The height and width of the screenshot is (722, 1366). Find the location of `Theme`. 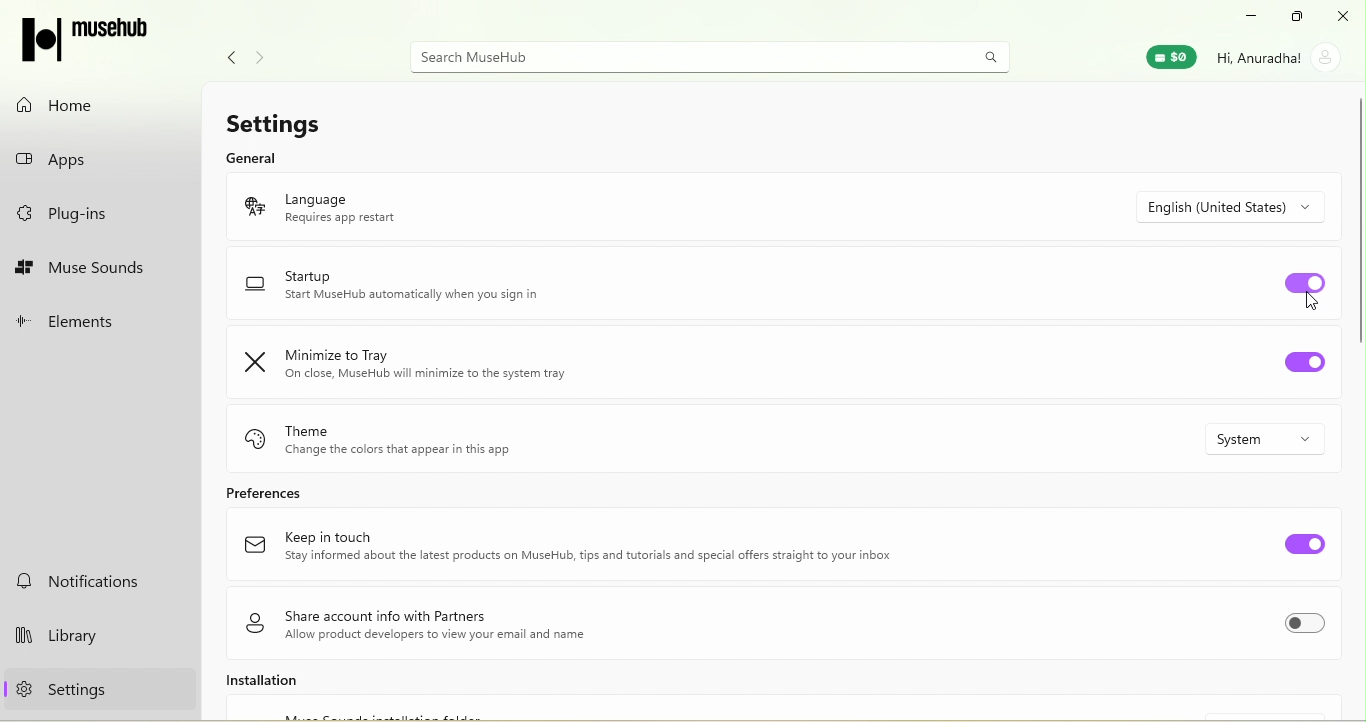

Theme is located at coordinates (426, 437).